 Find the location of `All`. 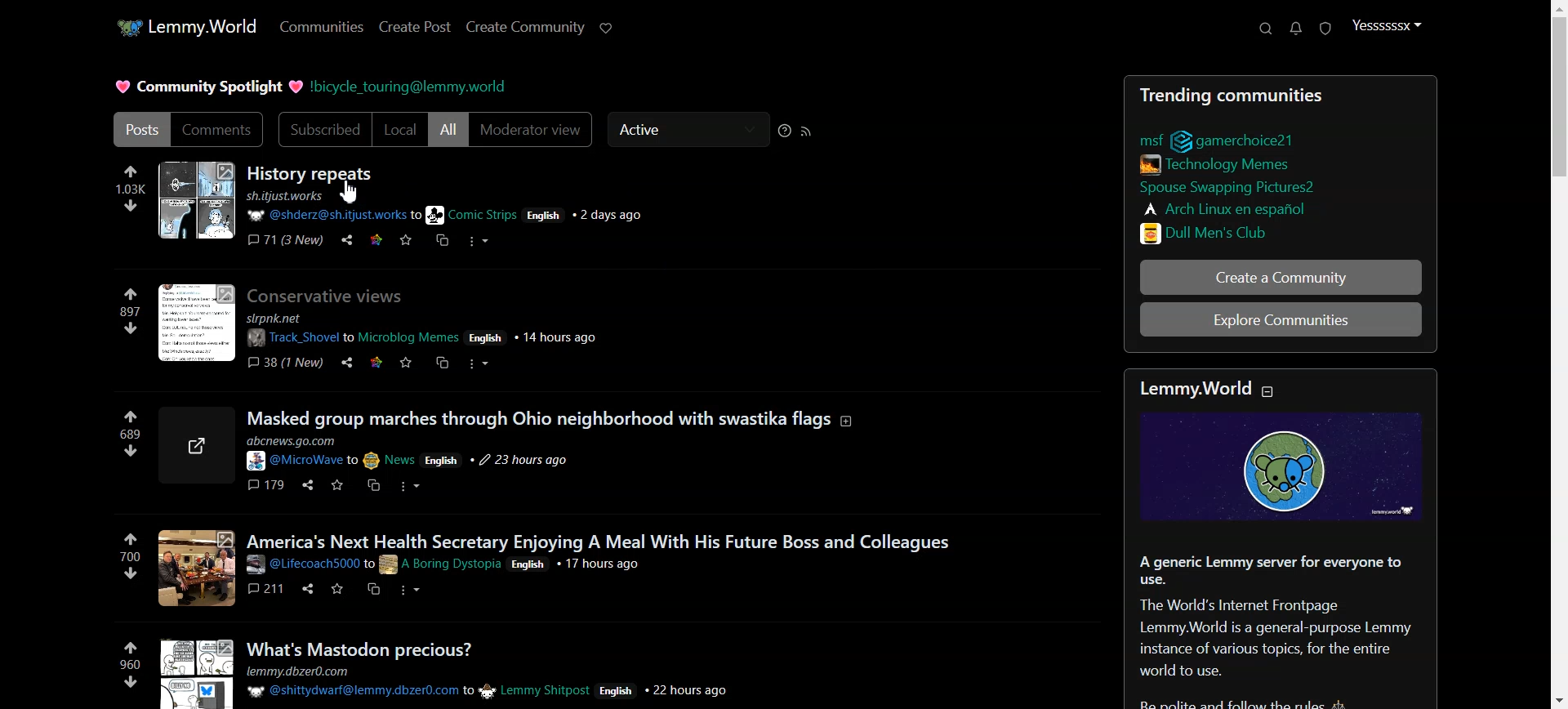

All is located at coordinates (448, 130).